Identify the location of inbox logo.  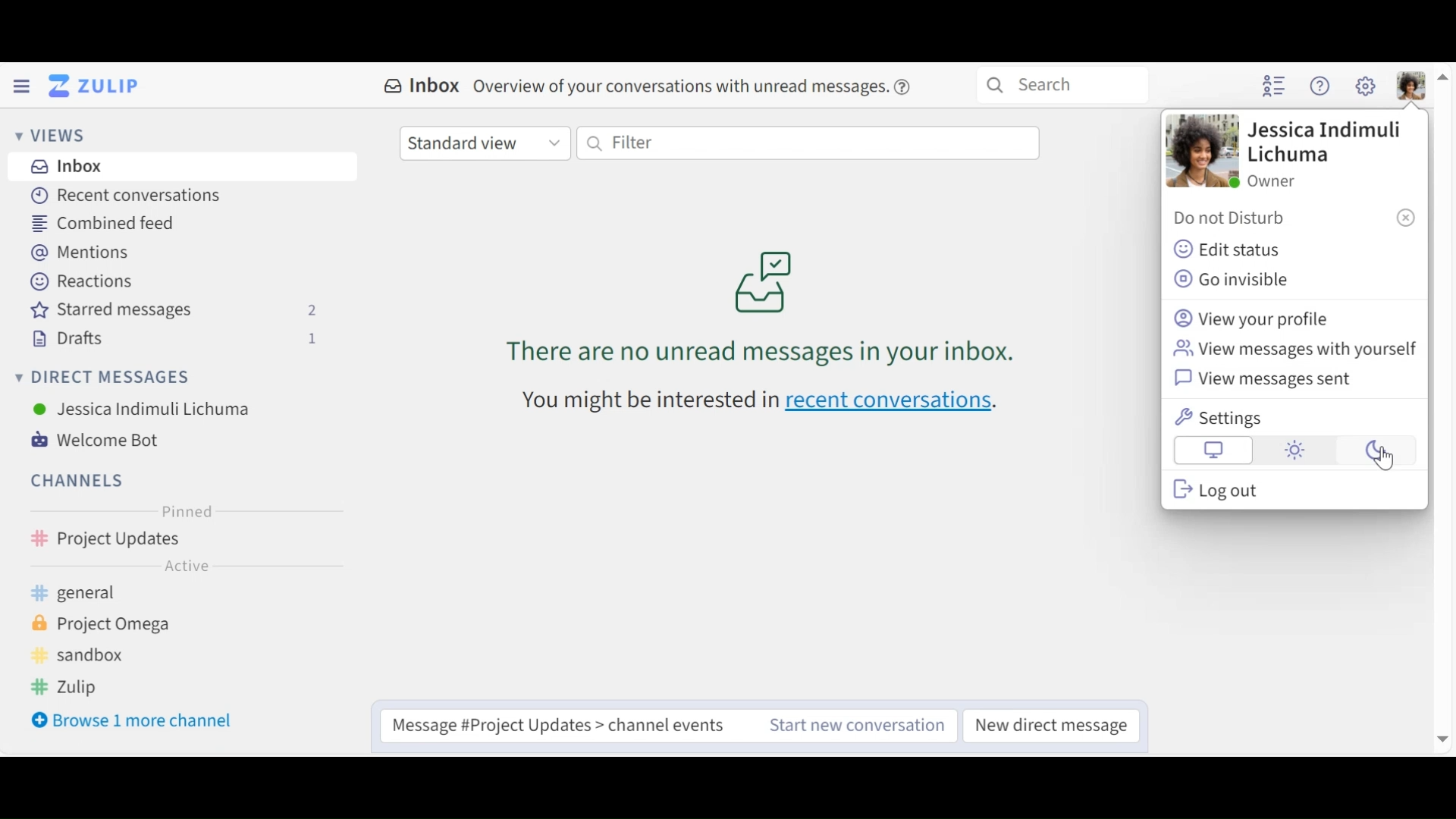
(764, 281).